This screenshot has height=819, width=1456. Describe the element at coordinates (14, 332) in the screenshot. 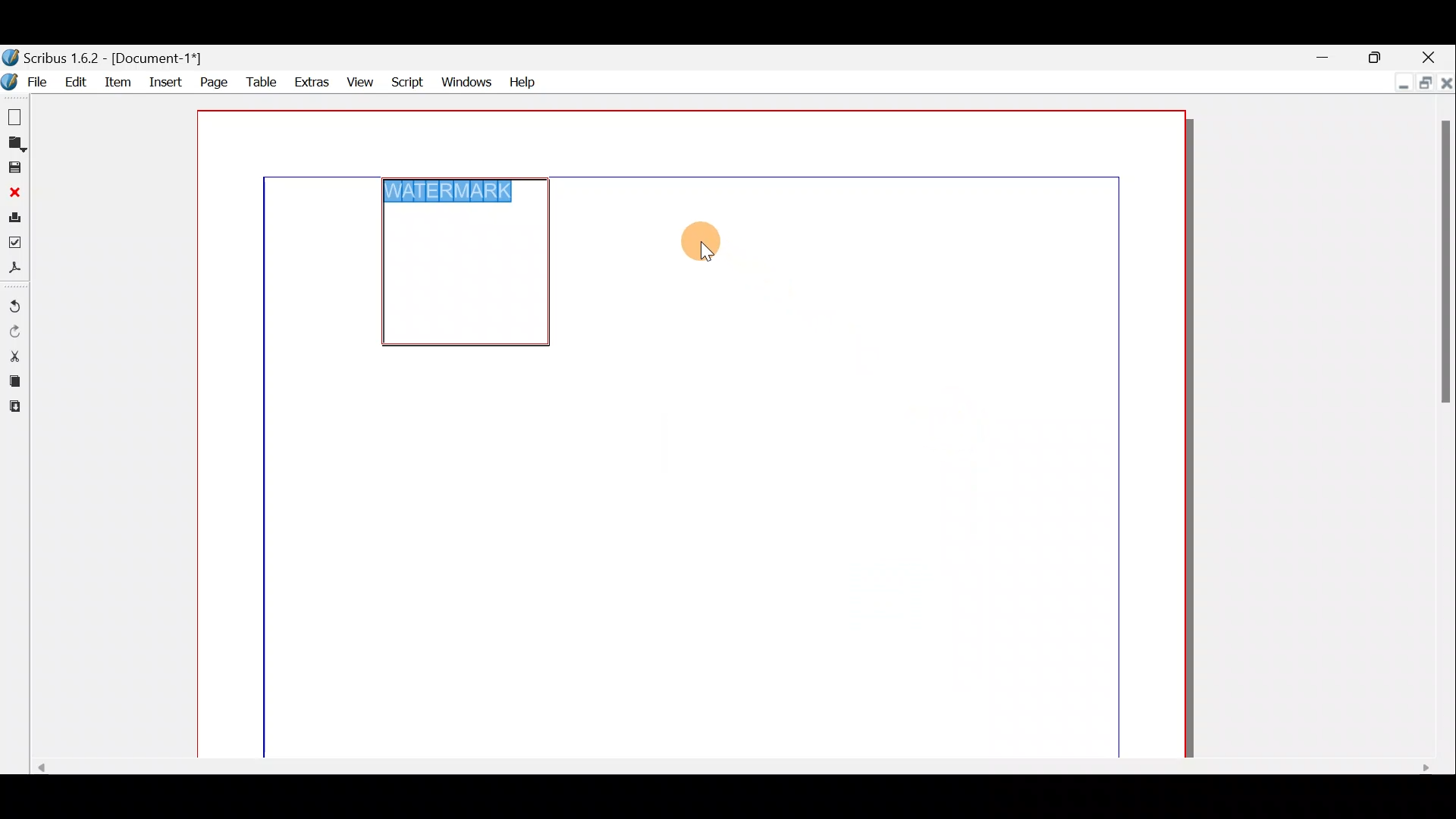

I see `Redo` at that location.